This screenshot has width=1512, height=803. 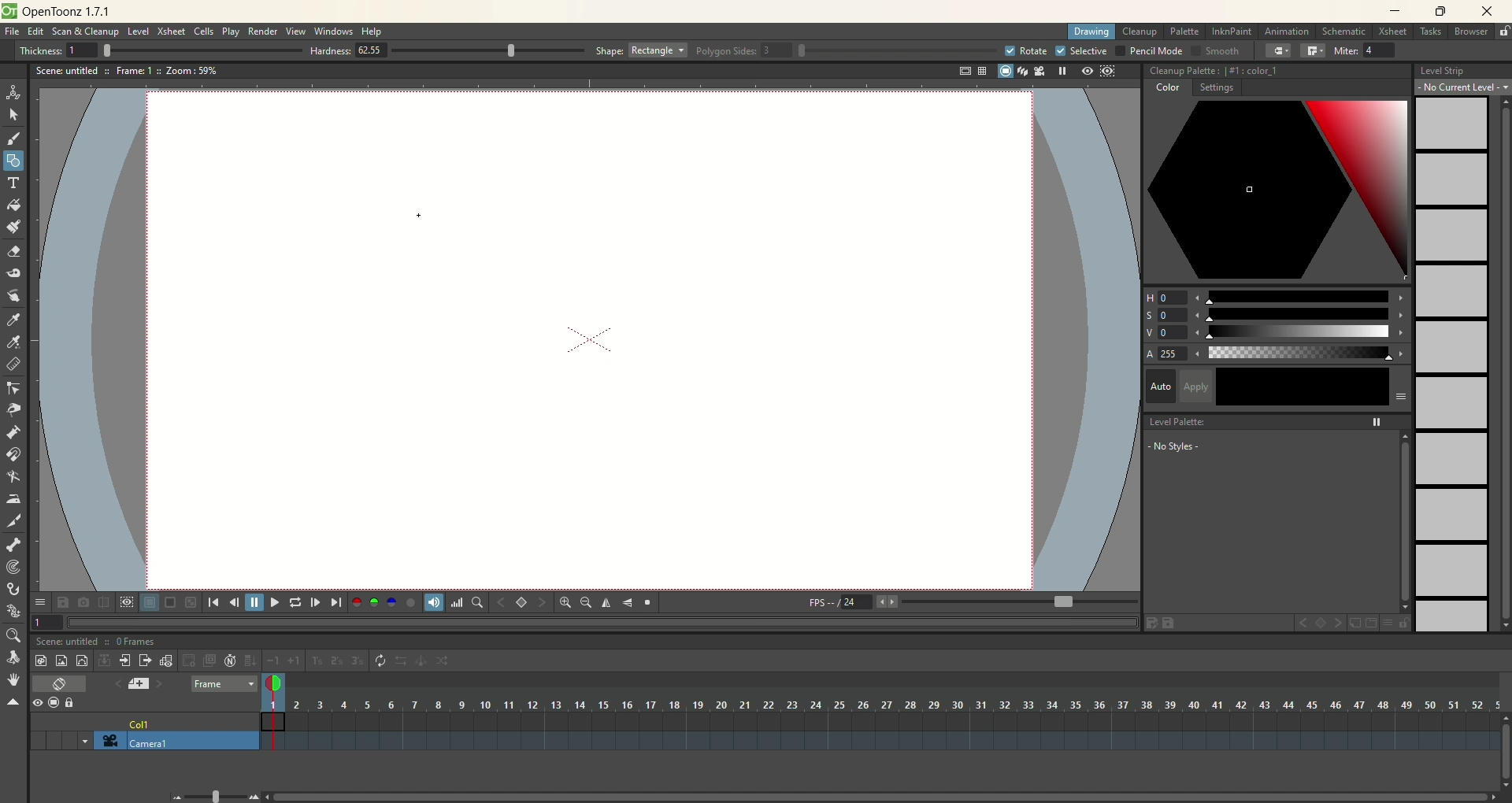 I want to click on new toonz raster level, so click(x=40, y=661).